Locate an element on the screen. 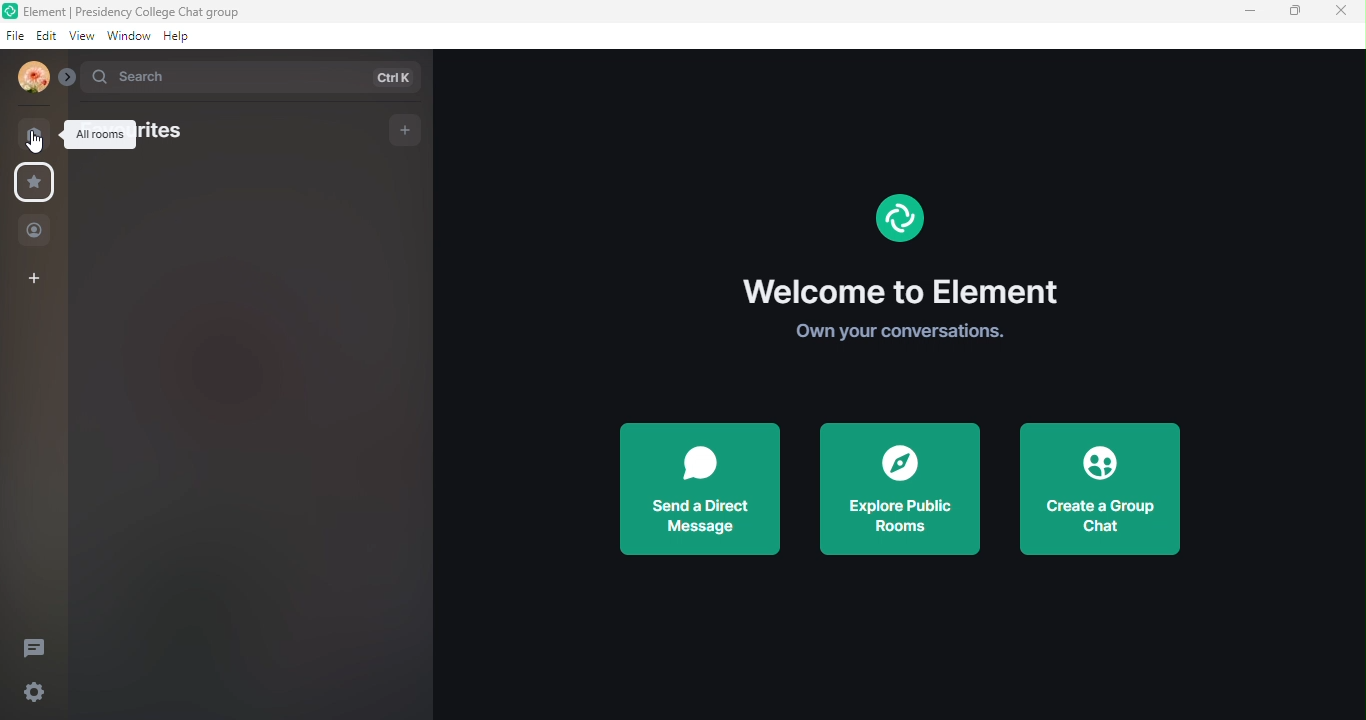 Image resolution: width=1366 pixels, height=720 pixels. create a space is located at coordinates (41, 278).